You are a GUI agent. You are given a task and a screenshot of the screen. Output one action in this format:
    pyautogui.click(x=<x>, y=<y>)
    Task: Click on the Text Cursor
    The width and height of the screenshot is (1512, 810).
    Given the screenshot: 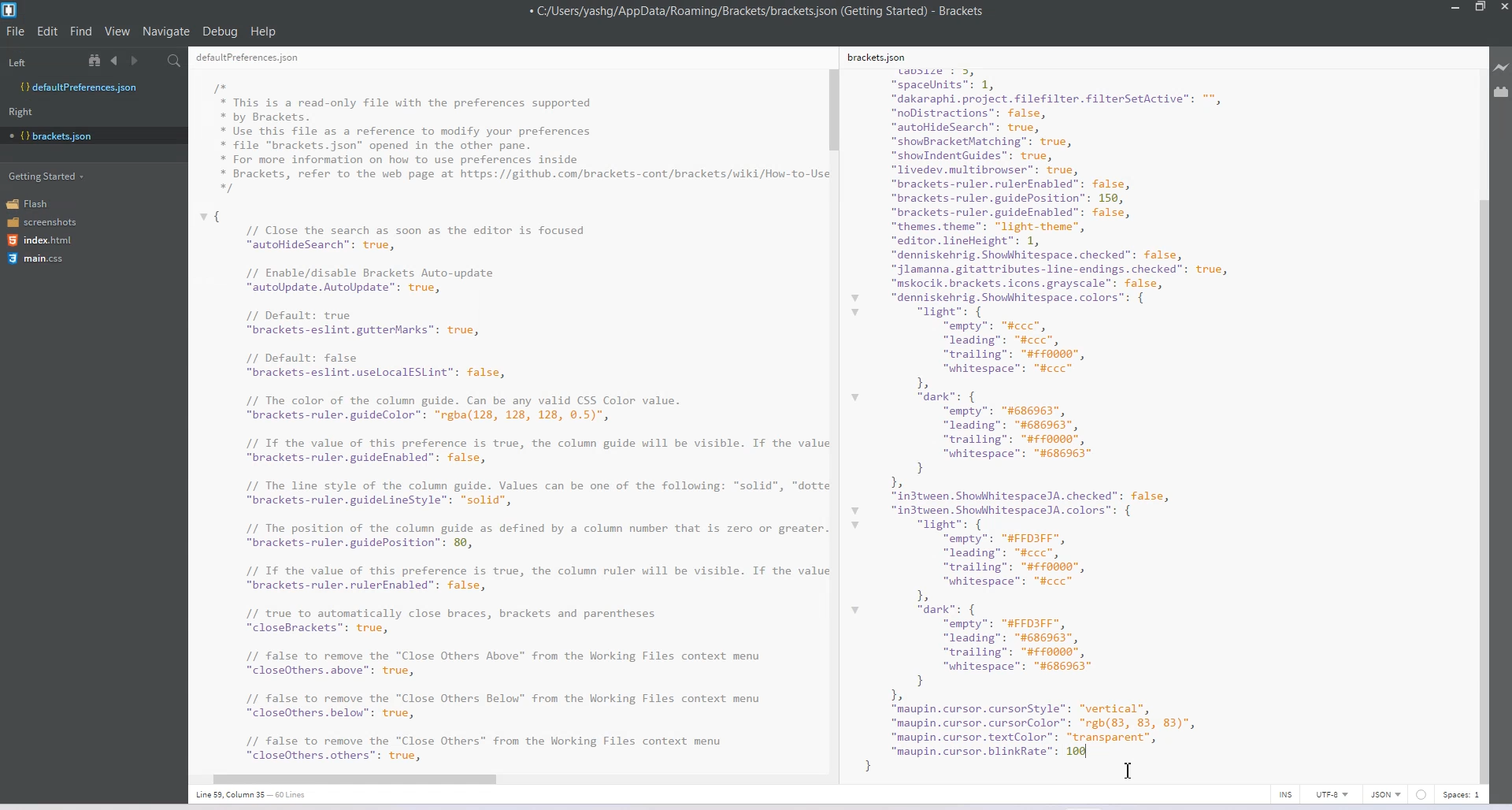 What is the action you would take?
    pyautogui.click(x=1128, y=771)
    